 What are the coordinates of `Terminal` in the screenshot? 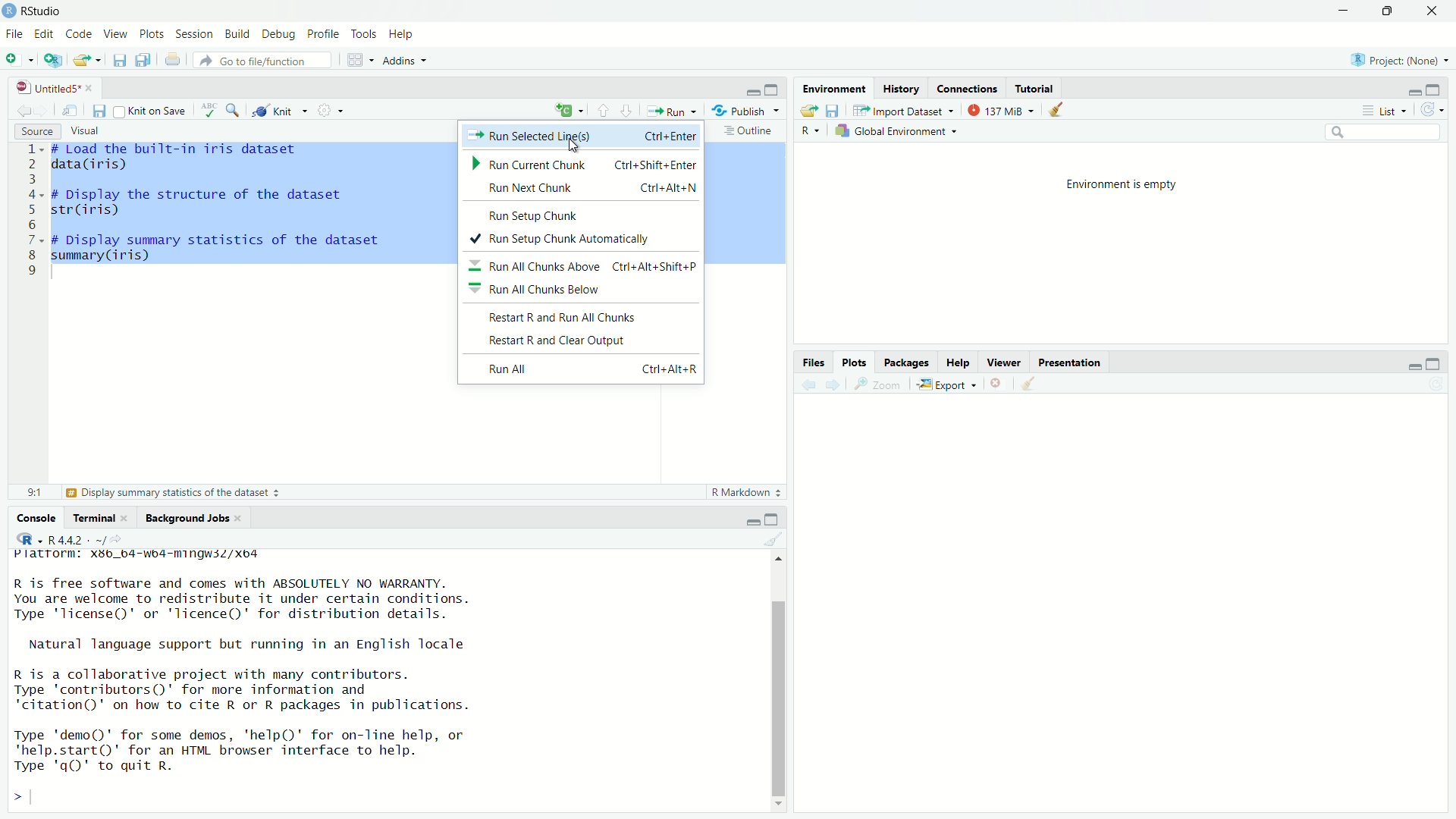 It's located at (103, 518).